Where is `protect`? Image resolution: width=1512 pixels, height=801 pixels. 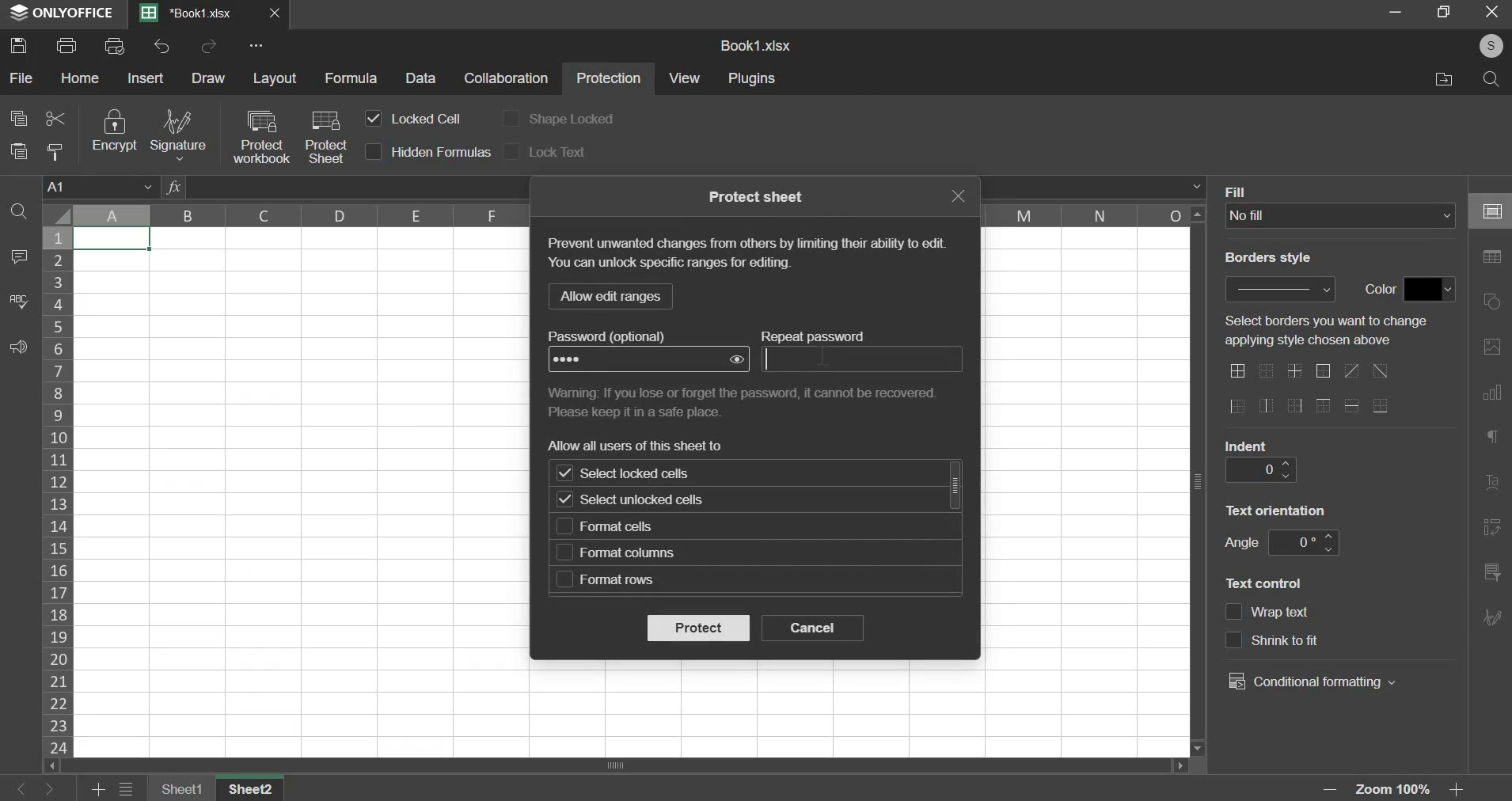
protect is located at coordinates (697, 628).